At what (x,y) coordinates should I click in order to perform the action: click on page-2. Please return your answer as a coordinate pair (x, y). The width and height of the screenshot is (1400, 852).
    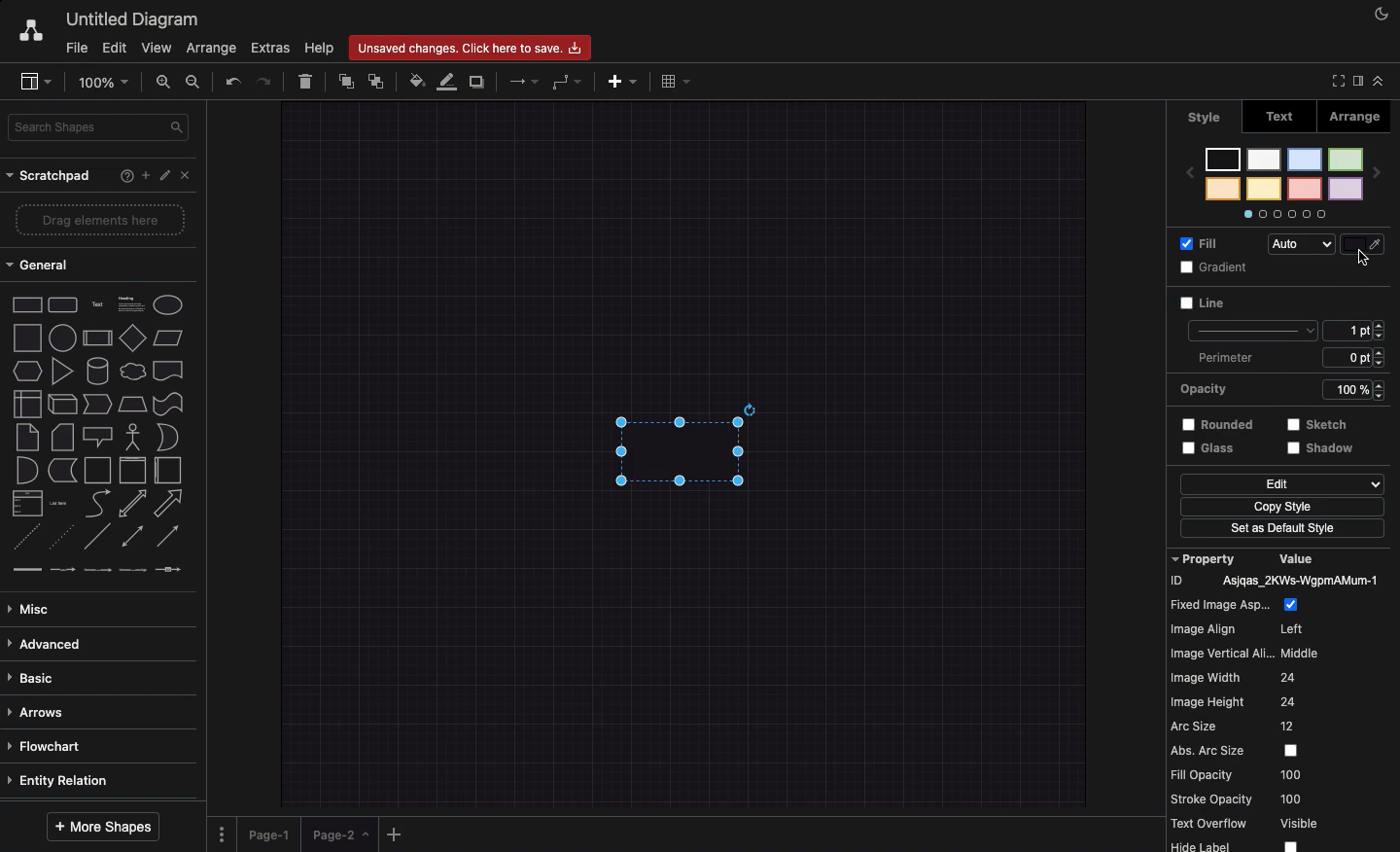
    Looking at the image, I should click on (342, 834).